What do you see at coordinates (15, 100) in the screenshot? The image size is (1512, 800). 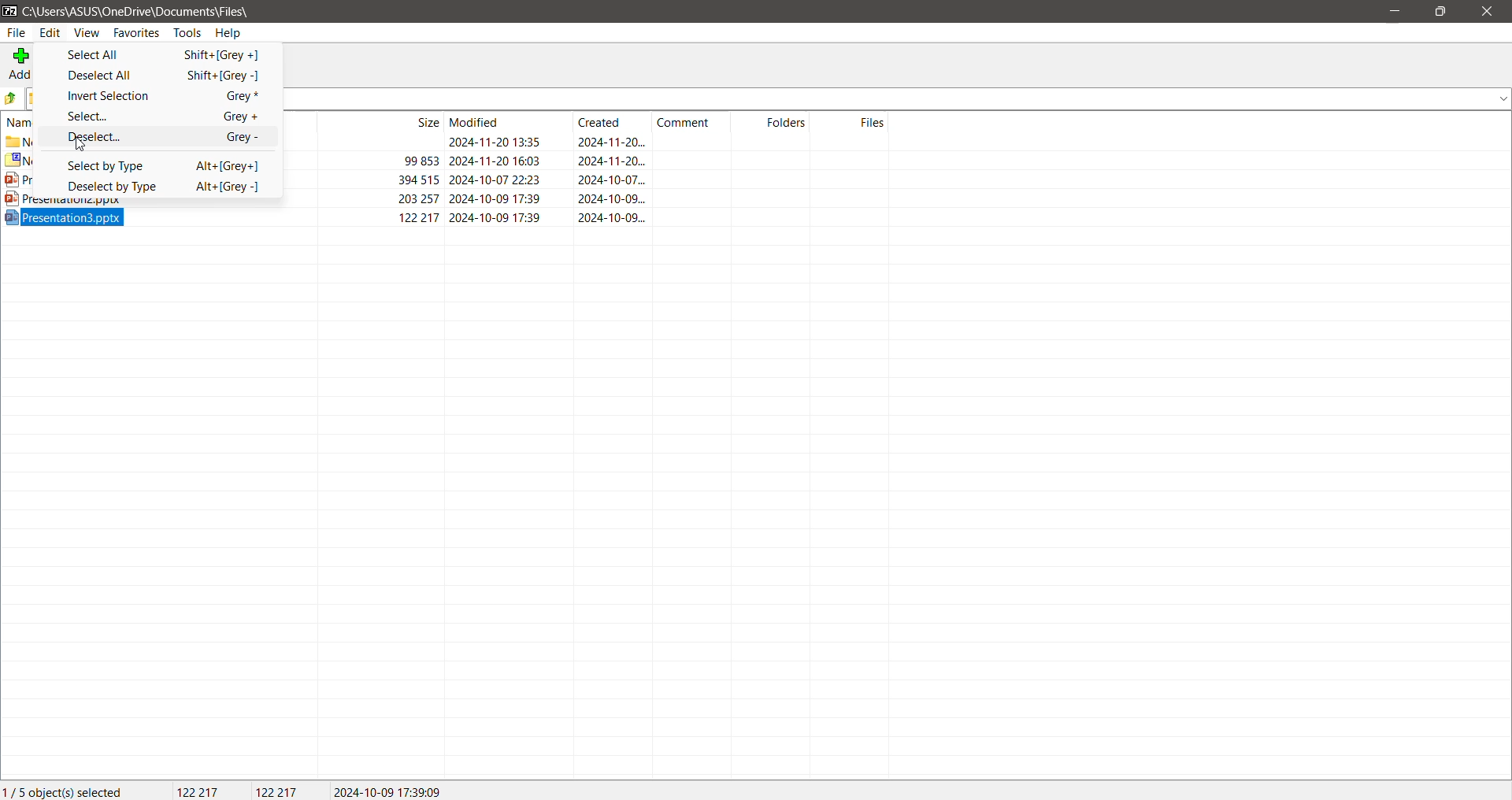 I see `folders` at bounding box center [15, 100].